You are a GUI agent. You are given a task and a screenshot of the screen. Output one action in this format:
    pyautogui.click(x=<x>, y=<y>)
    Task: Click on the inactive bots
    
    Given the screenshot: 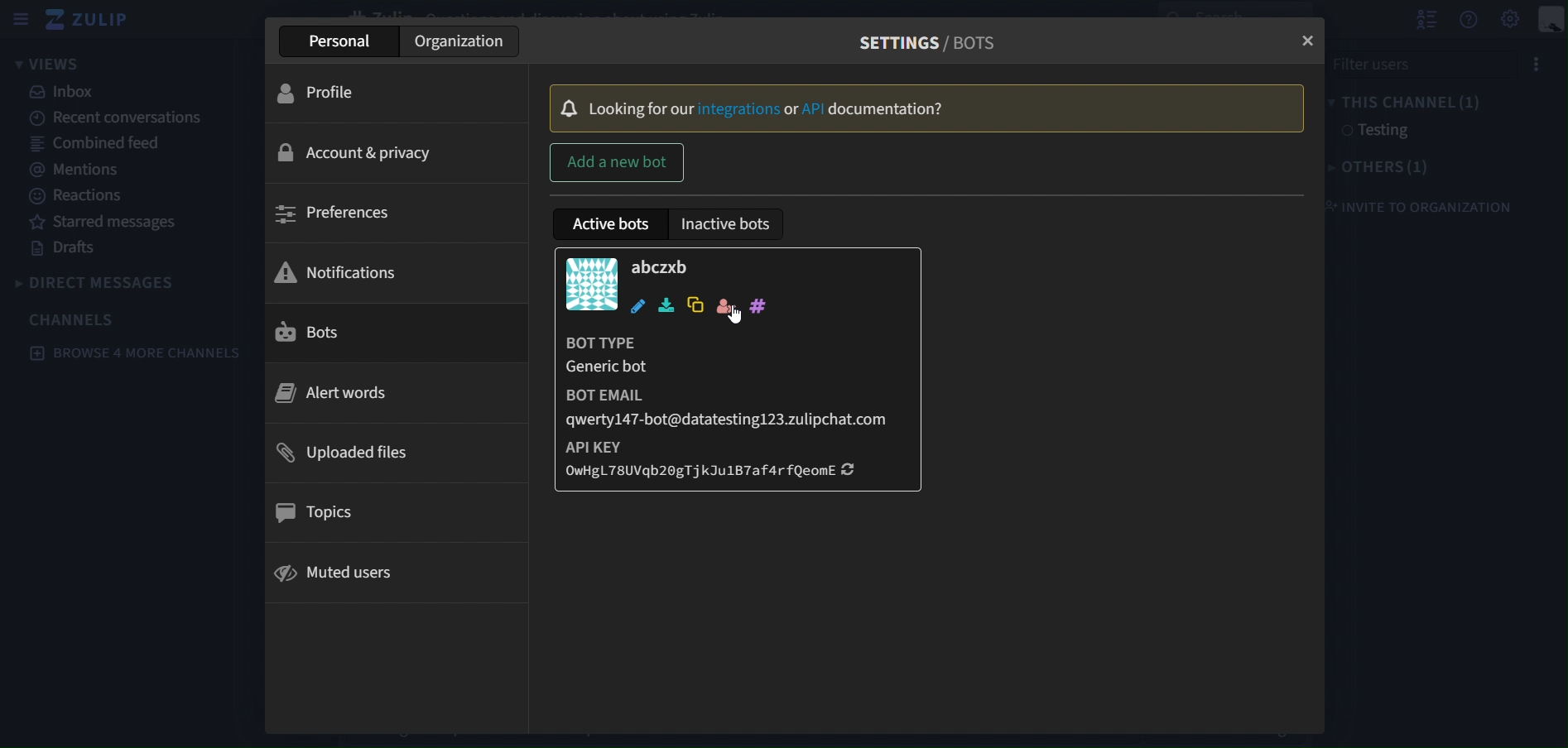 What is the action you would take?
    pyautogui.click(x=724, y=224)
    